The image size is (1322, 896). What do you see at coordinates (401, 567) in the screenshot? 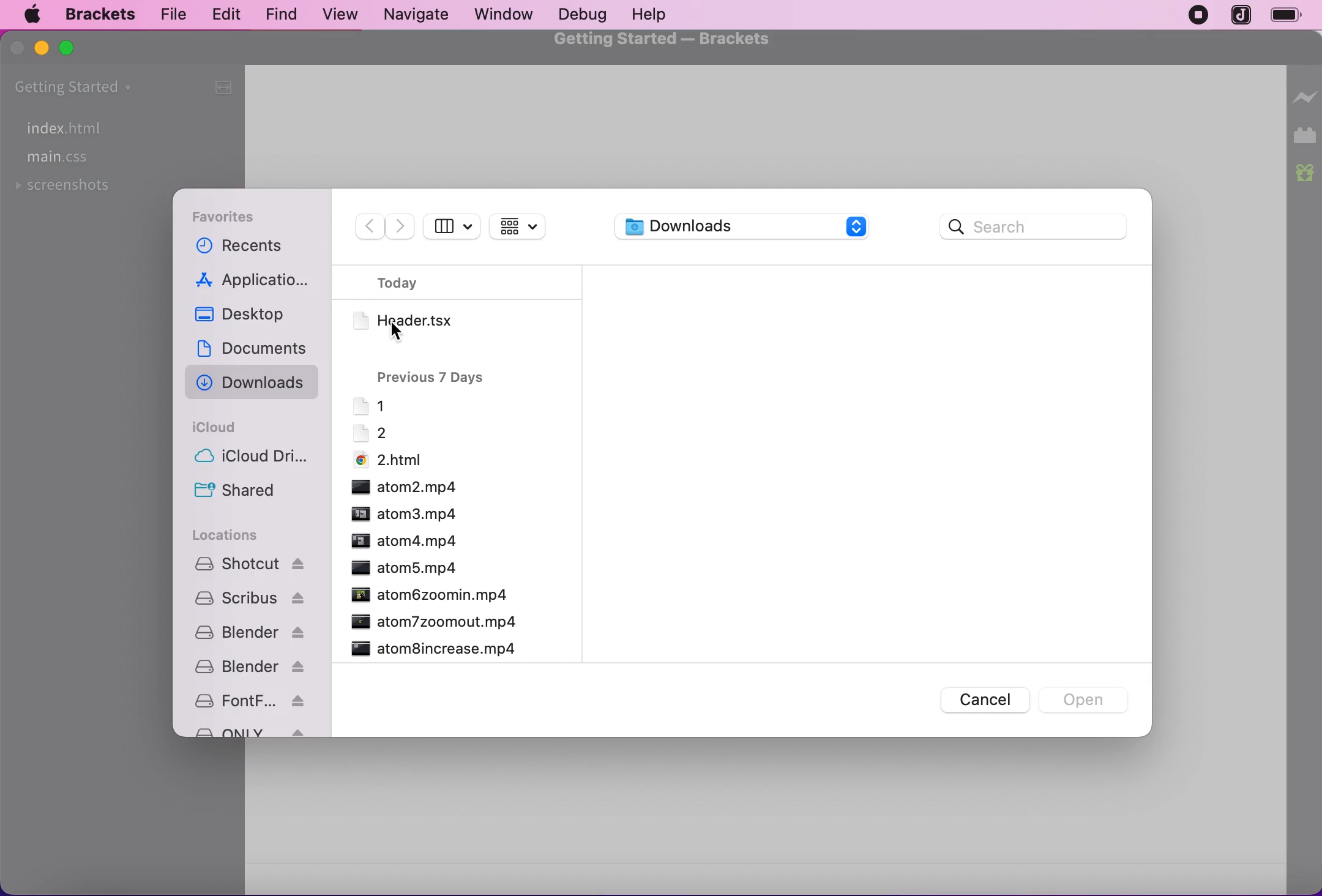
I see `atom5.mp4` at bounding box center [401, 567].